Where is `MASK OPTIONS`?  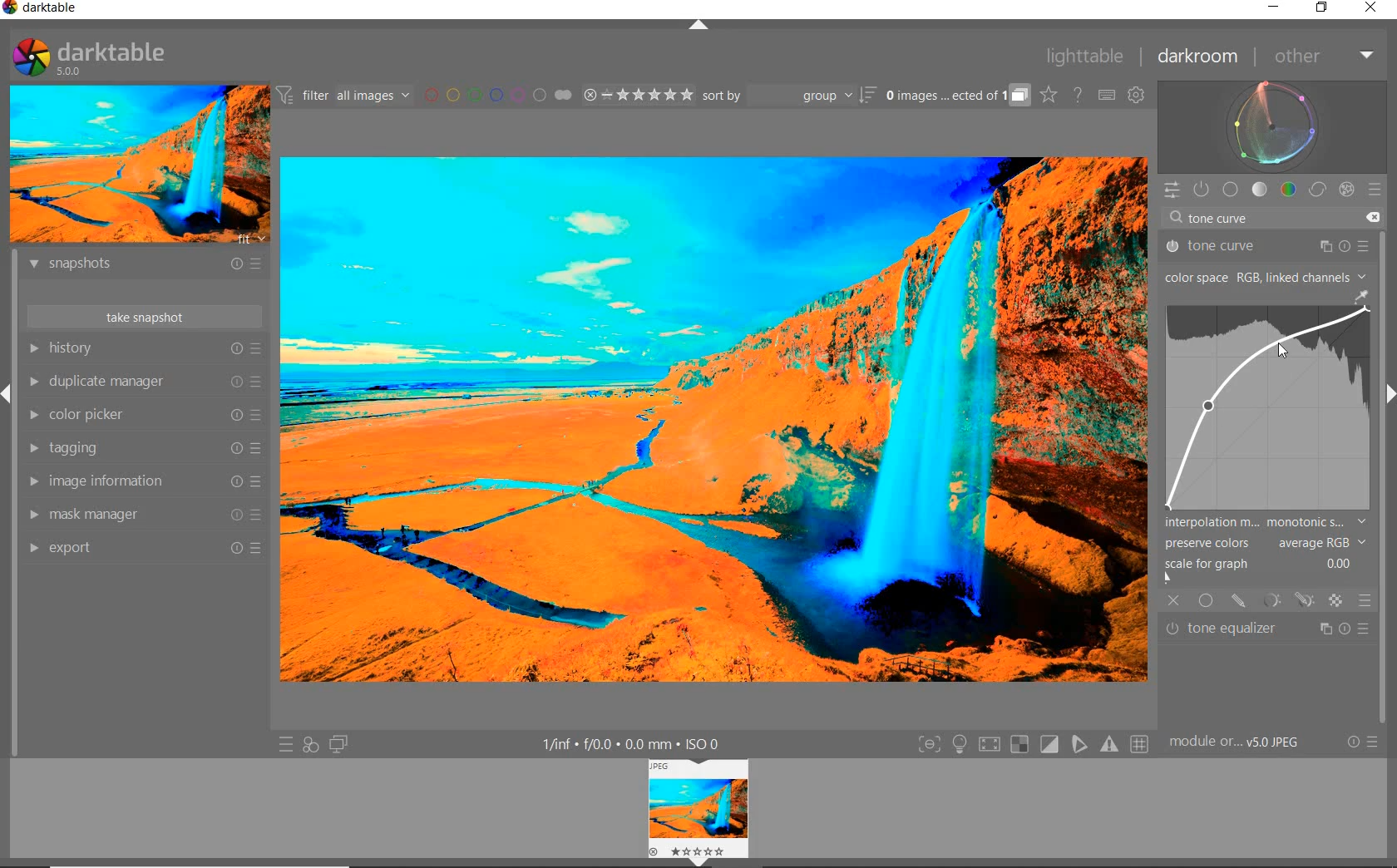 MASK OPTIONS is located at coordinates (1287, 601).